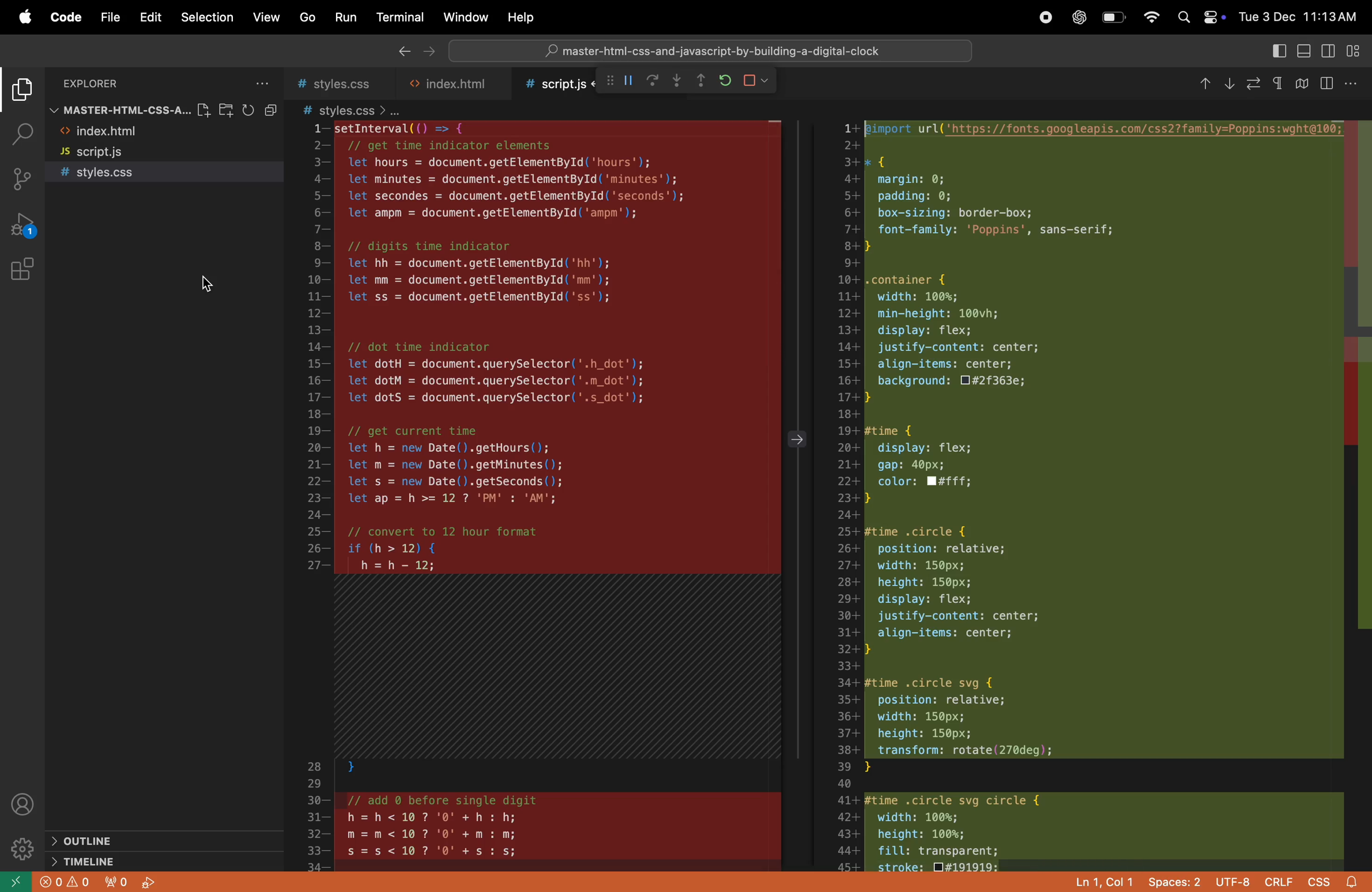  I want to click on no output forwarded, so click(114, 880).